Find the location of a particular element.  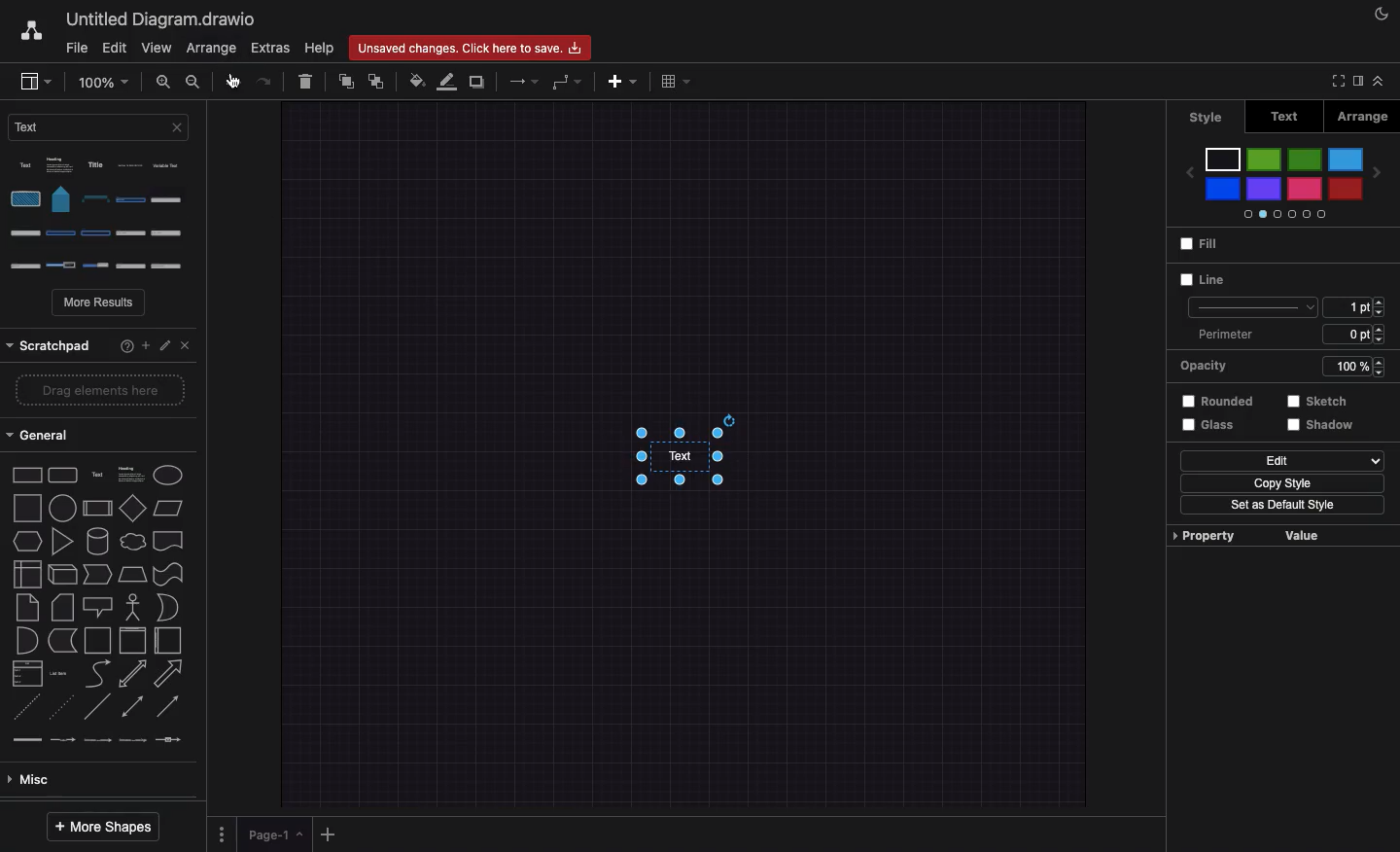

To front is located at coordinates (345, 83).